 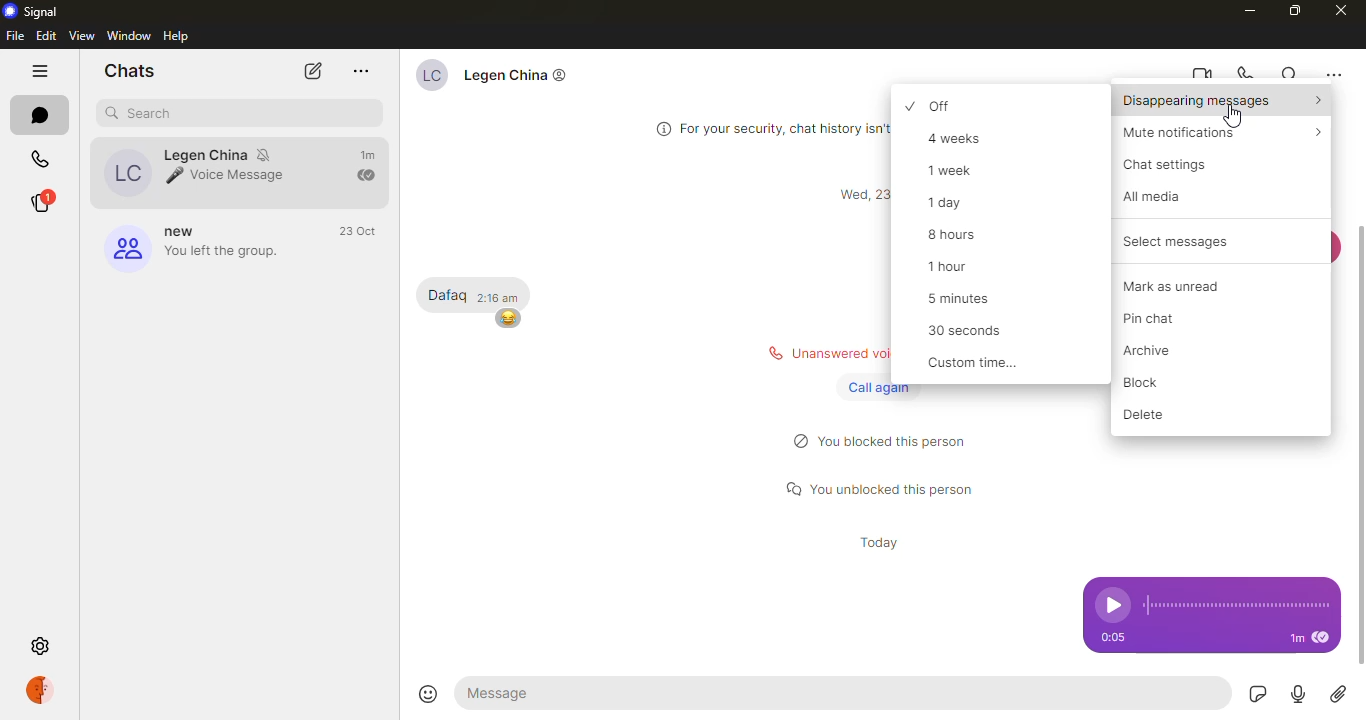 What do you see at coordinates (952, 266) in the screenshot?
I see `1 hour` at bounding box center [952, 266].